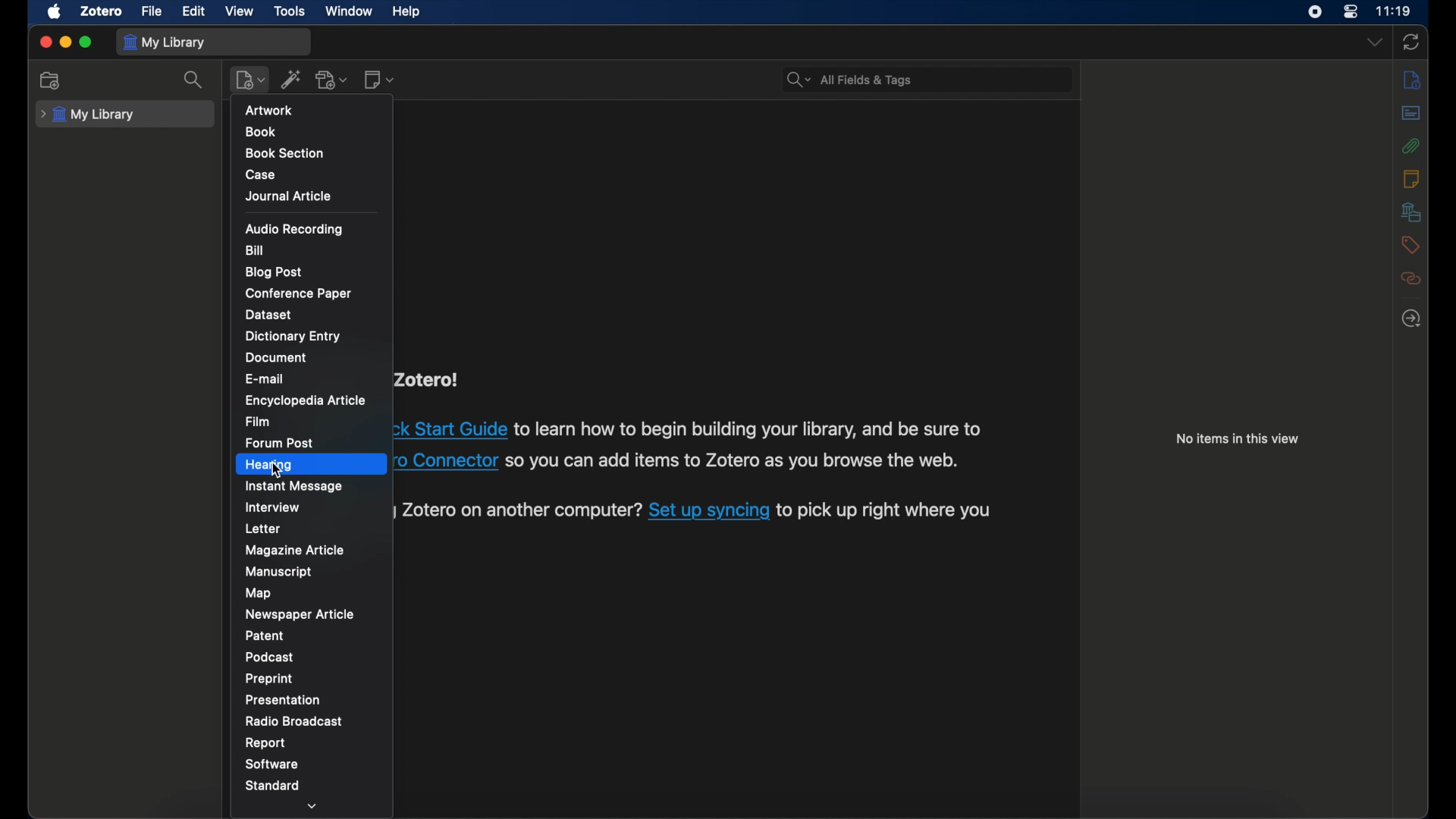  I want to click on add attachment, so click(332, 80).